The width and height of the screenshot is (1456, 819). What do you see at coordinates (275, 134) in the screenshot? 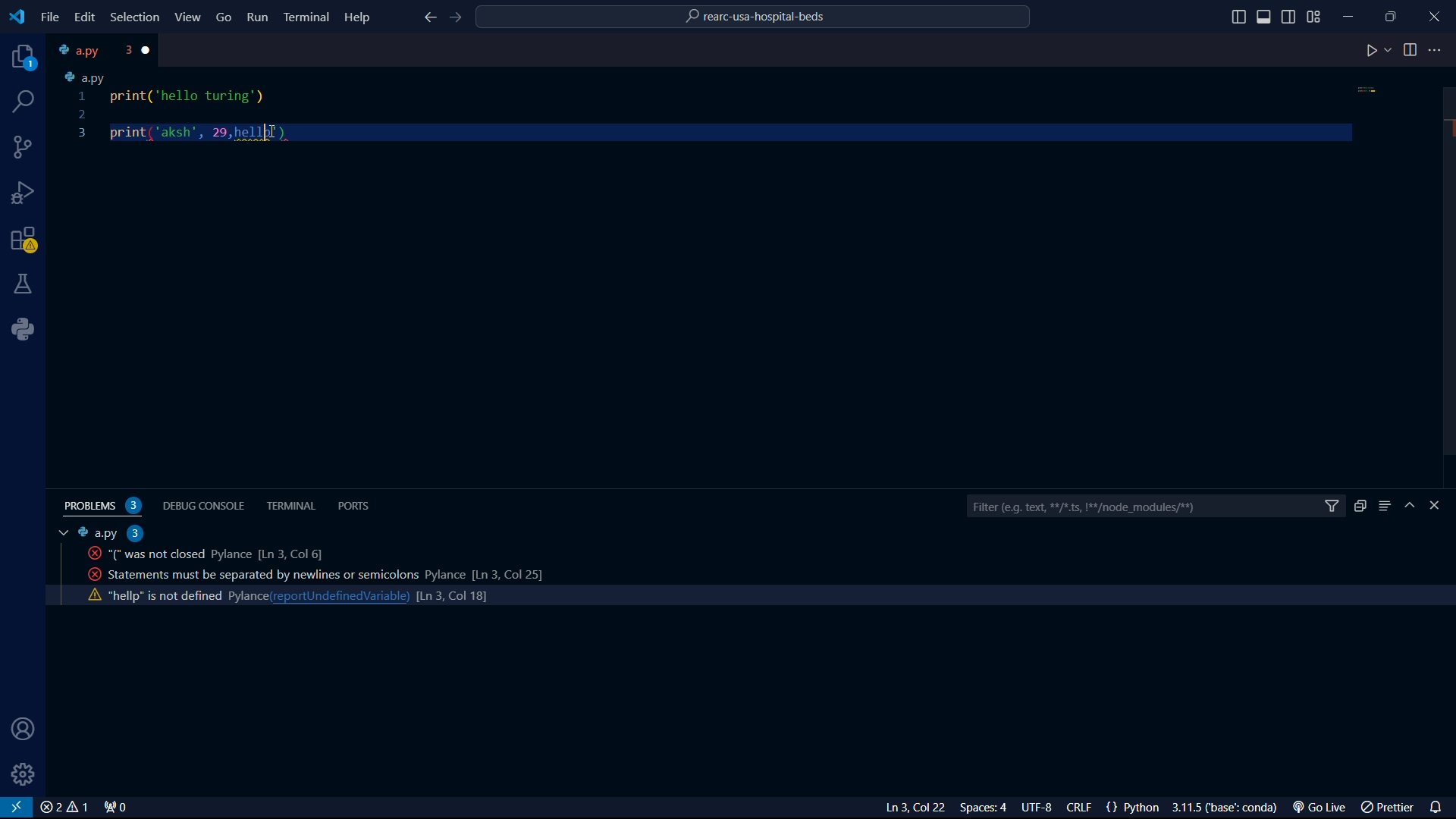
I see `cursor` at bounding box center [275, 134].